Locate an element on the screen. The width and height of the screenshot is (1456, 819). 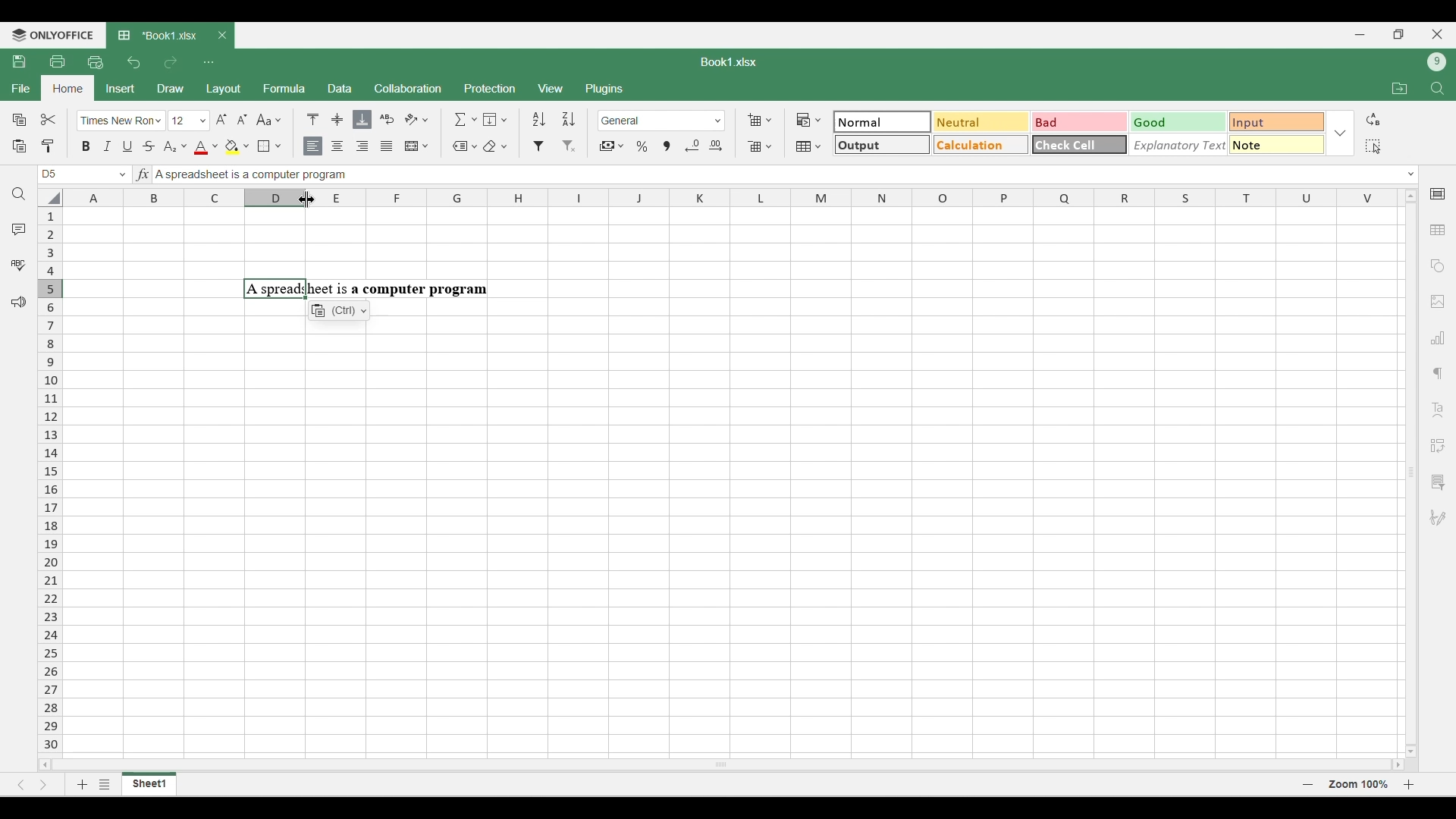
Bold is located at coordinates (86, 146).